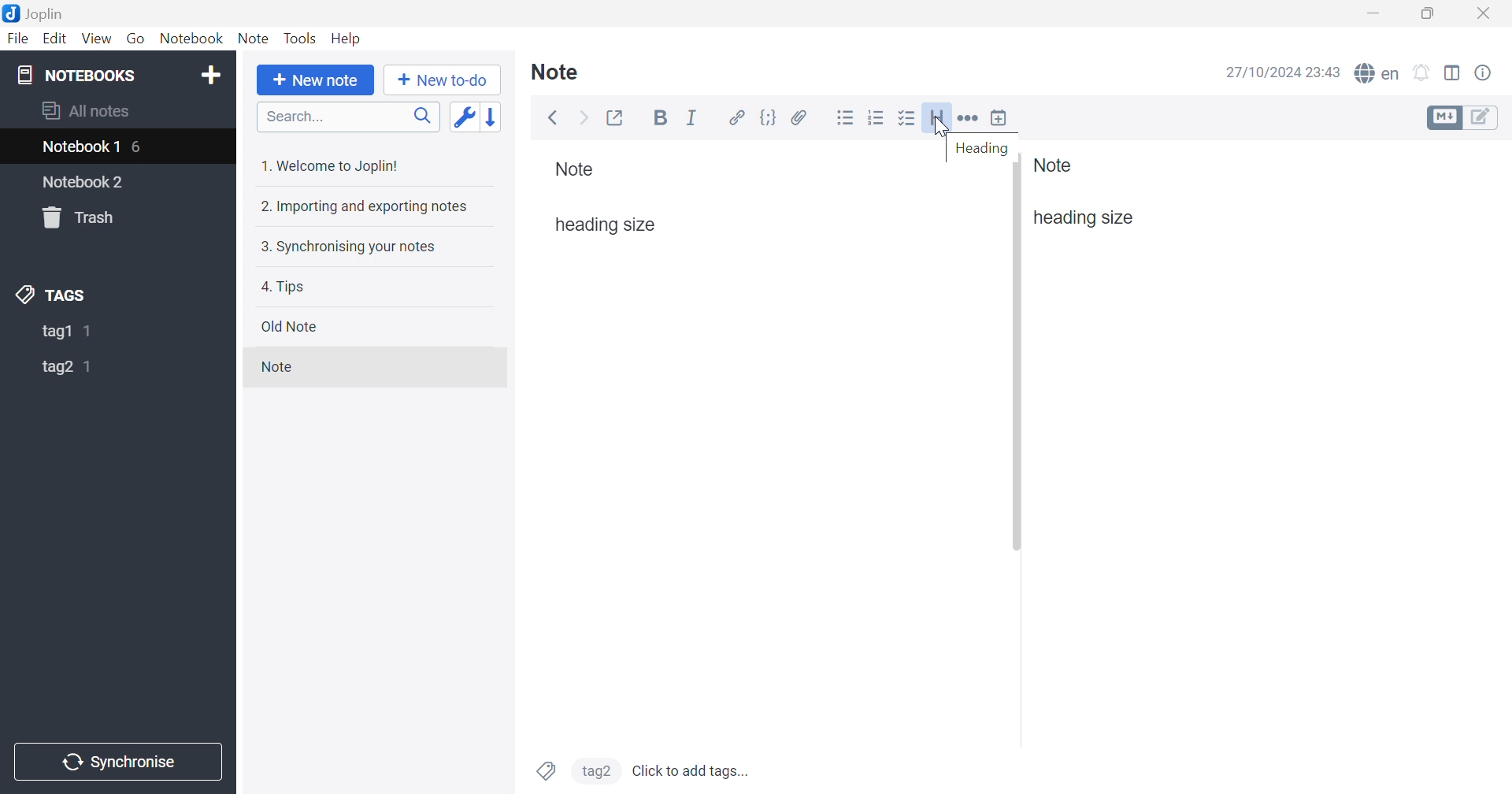  What do you see at coordinates (56, 332) in the screenshot?
I see `tag1` at bounding box center [56, 332].